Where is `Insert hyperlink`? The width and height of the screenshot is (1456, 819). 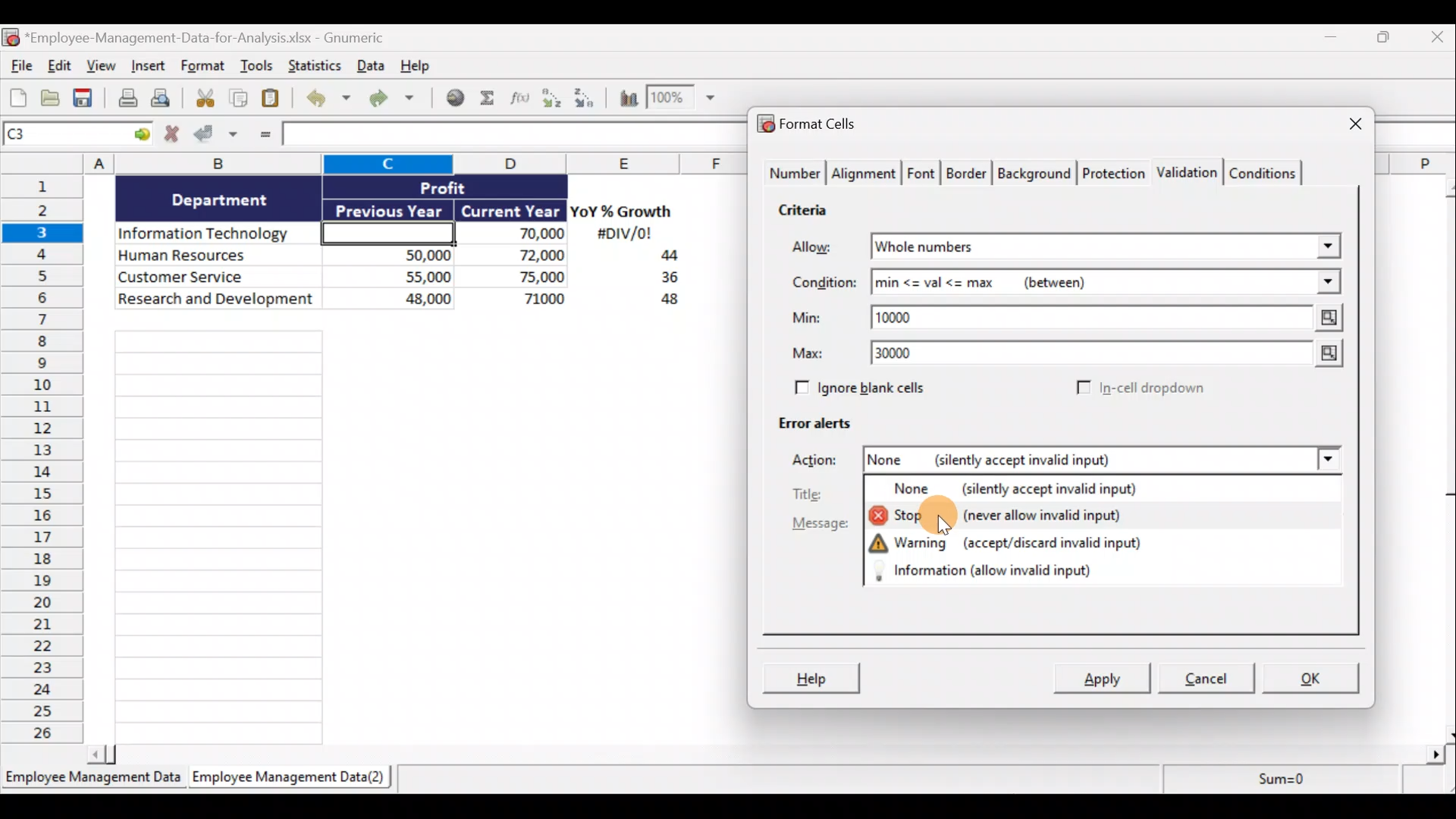
Insert hyperlink is located at coordinates (457, 98).